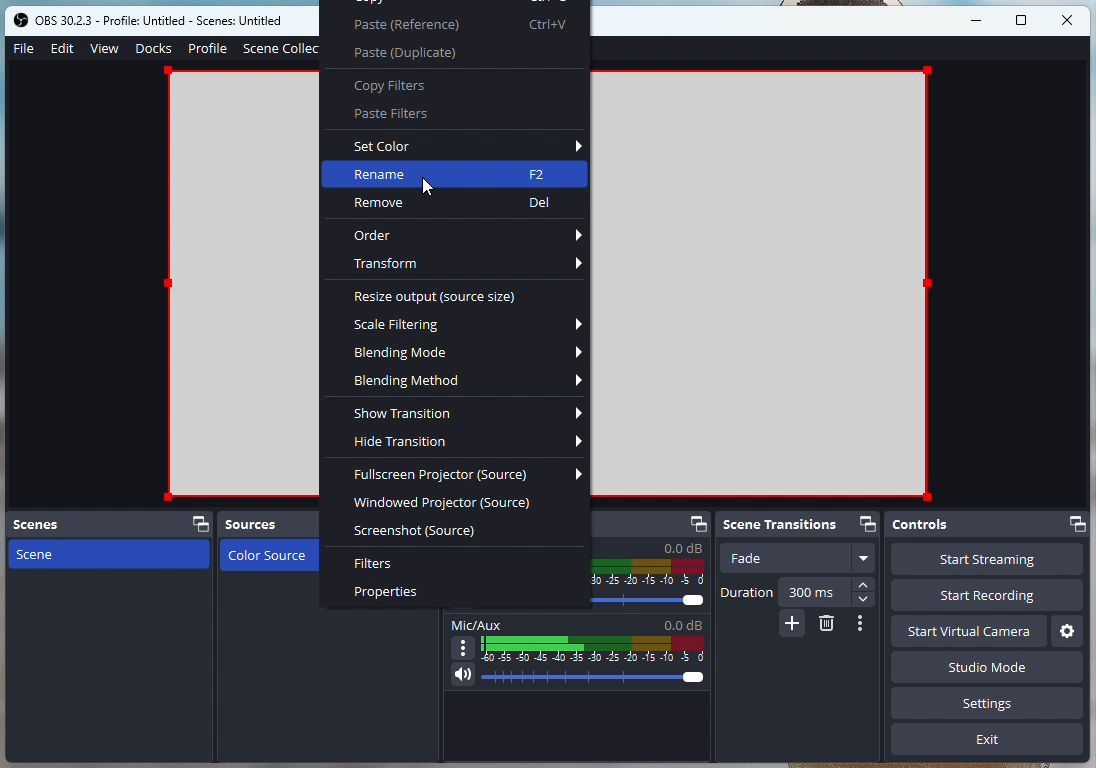  What do you see at coordinates (986, 561) in the screenshot?
I see `Start Streaming` at bounding box center [986, 561].